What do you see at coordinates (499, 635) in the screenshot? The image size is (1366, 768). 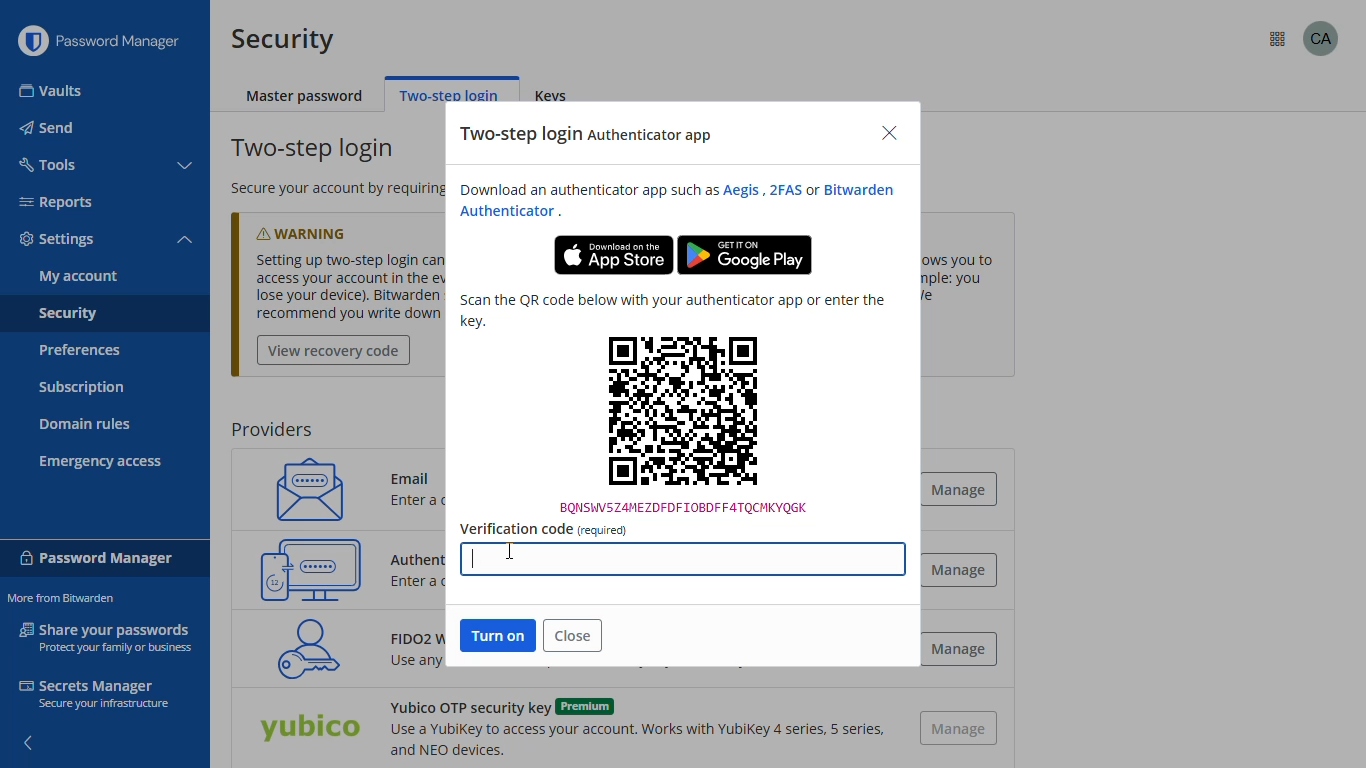 I see `turn on` at bounding box center [499, 635].